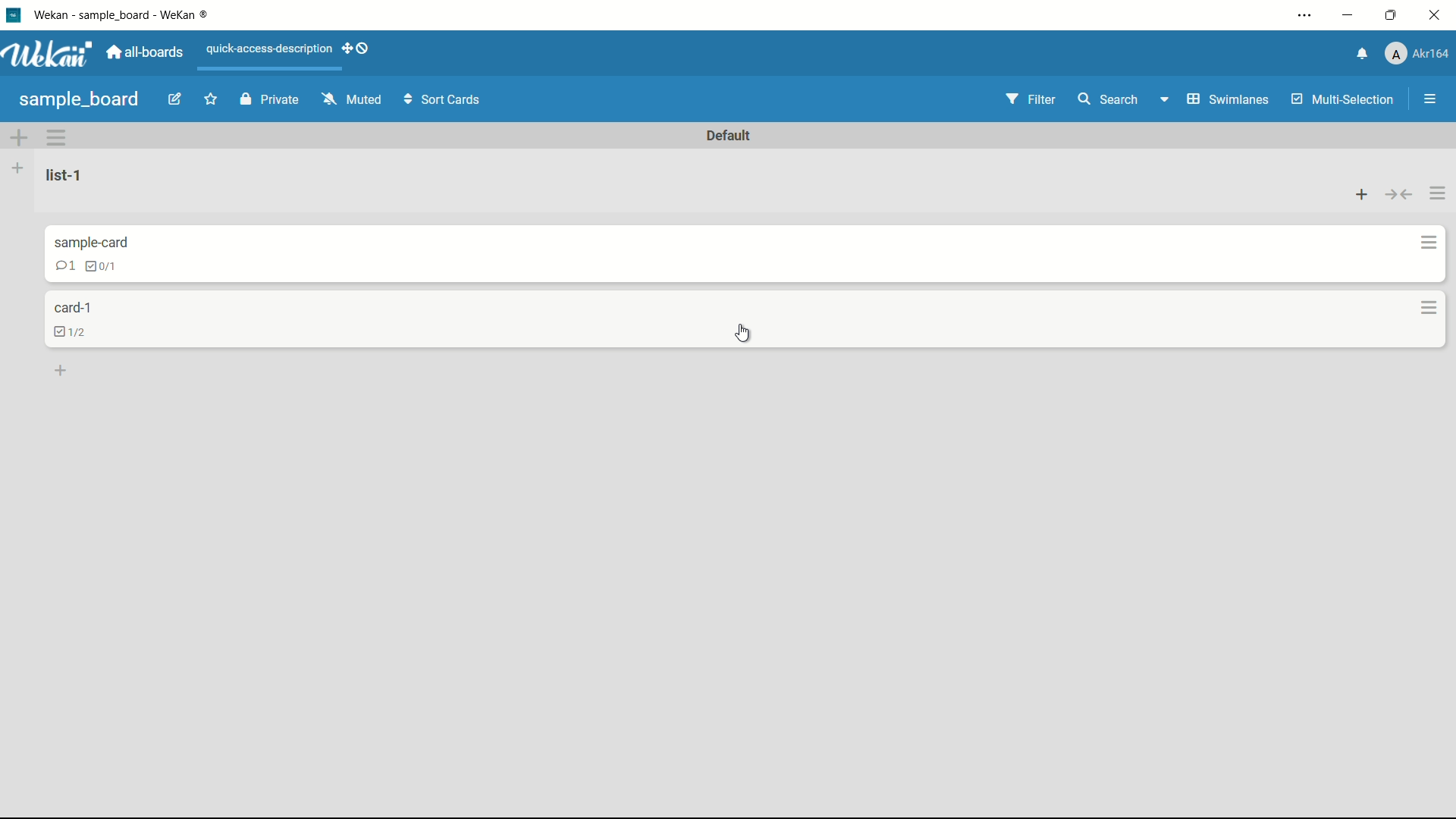 The image size is (1456, 819). Describe the element at coordinates (1436, 191) in the screenshot. I see `list actions` at that location.